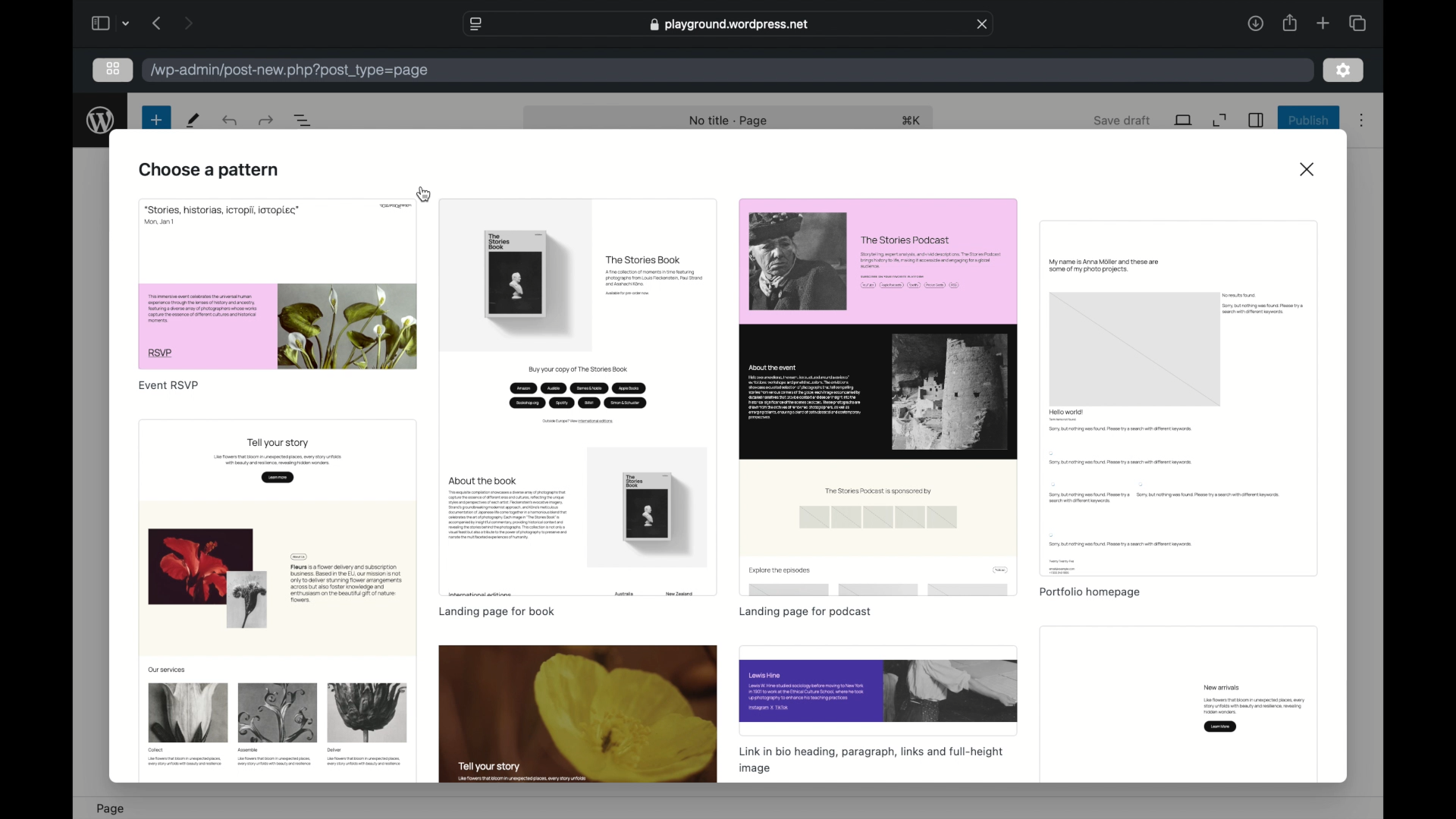 The image size is (1456, 819). What do you see at coordinates (101, 121) in the screenshot?
I see `wordpress` at bounding box center [101, 121].